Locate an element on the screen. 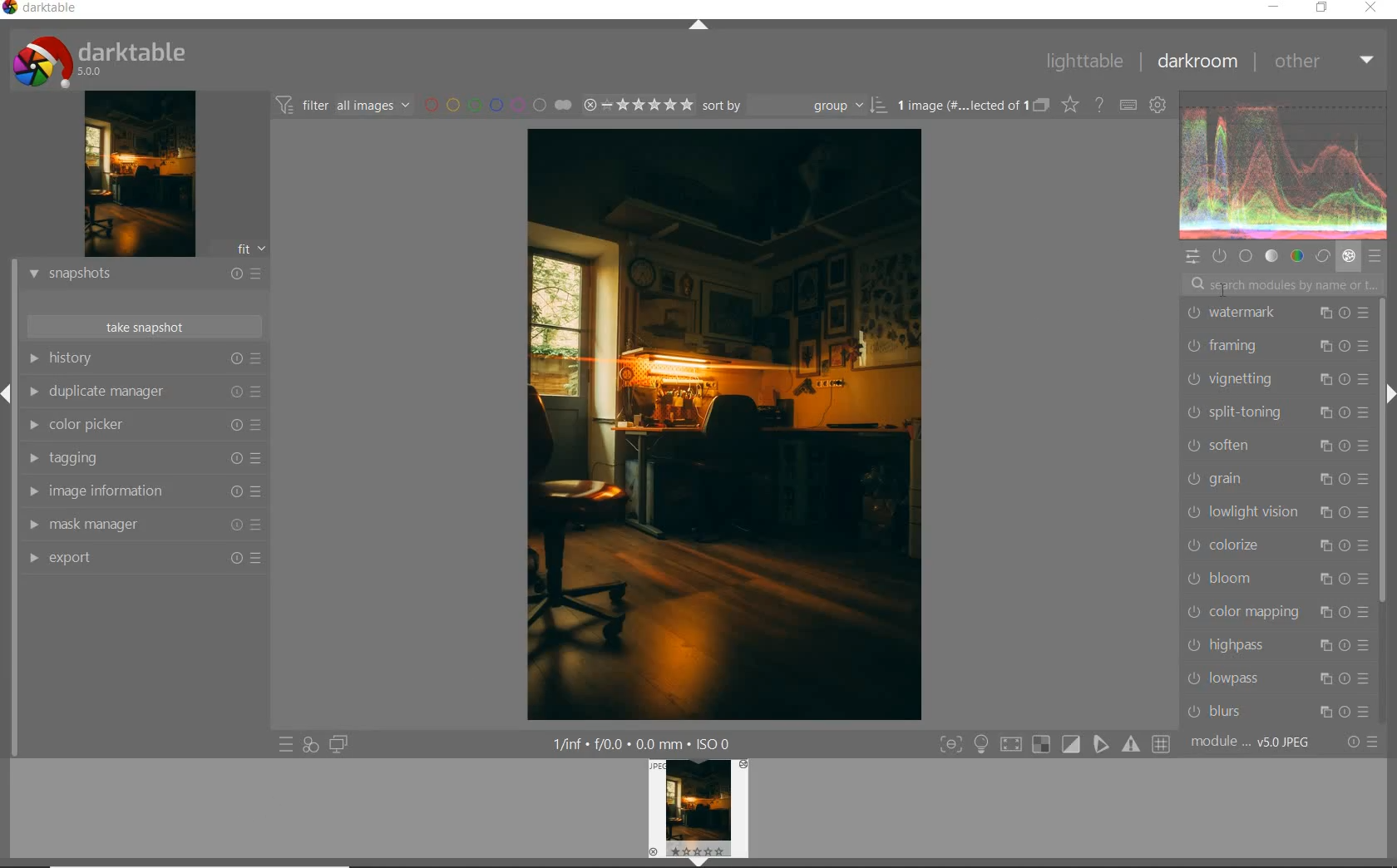 The image size is (1397, 868). color picker is located at coordinates (141, 423).